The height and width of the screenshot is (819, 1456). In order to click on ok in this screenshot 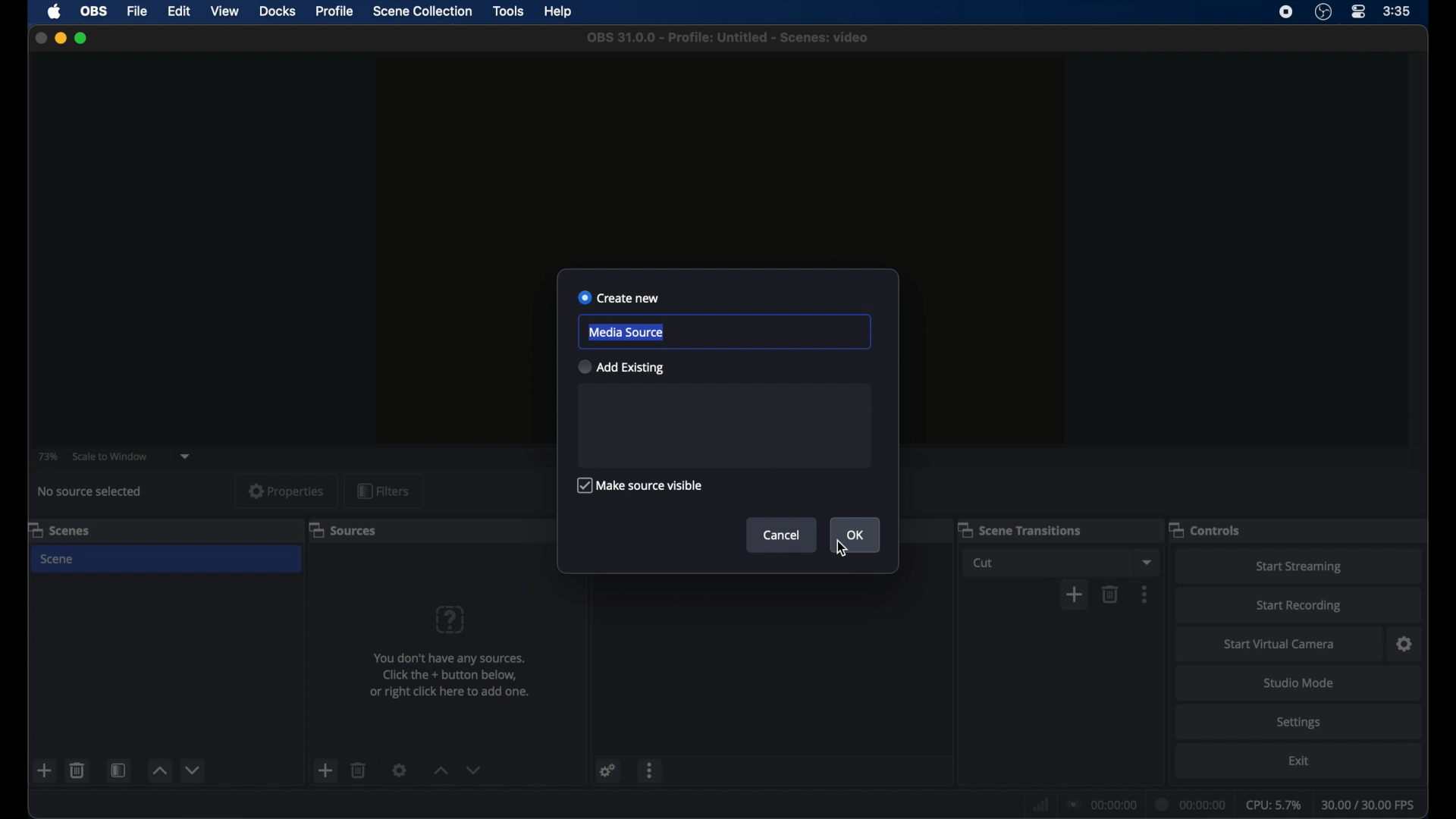, I will do `click(855, 535)`.